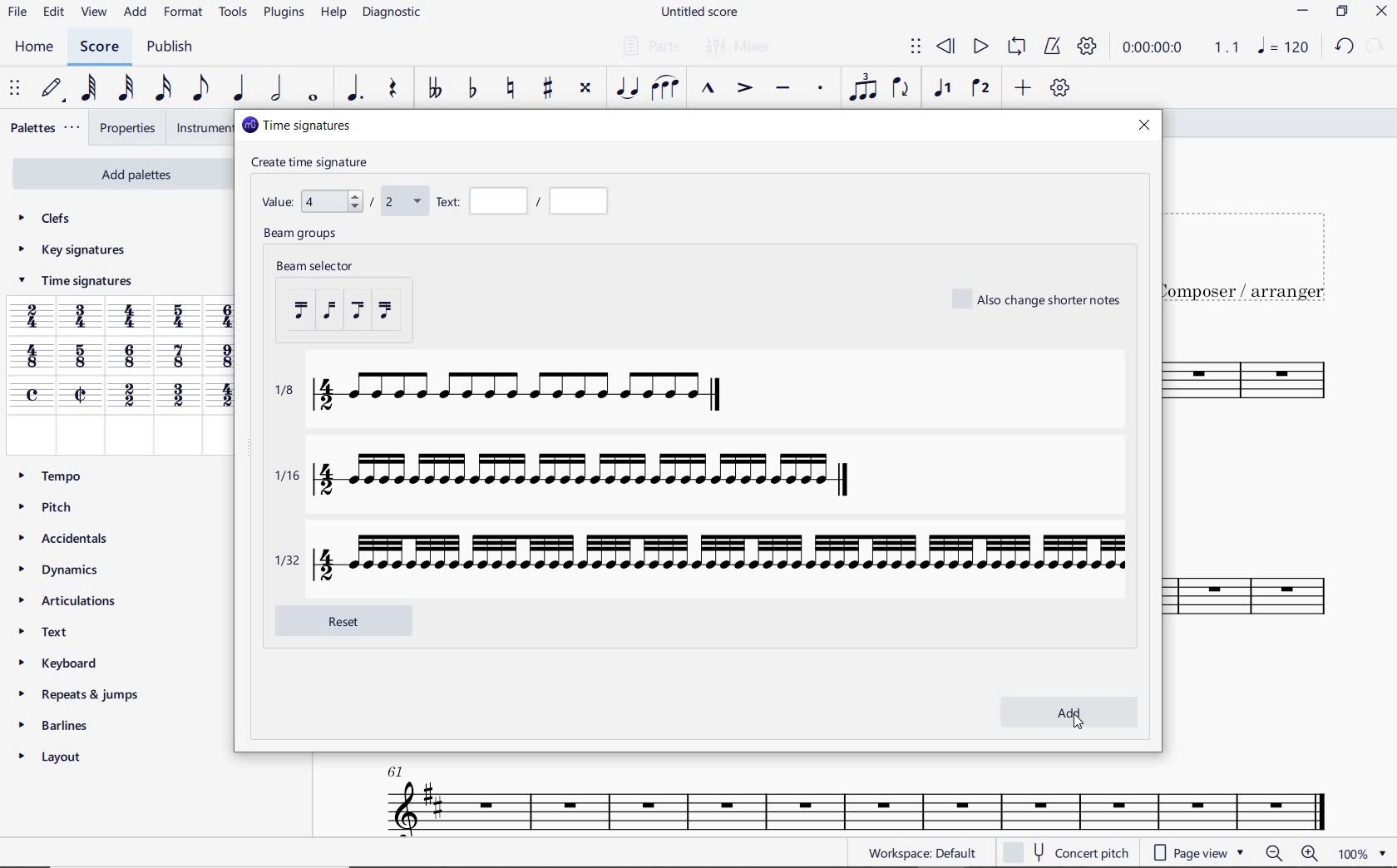  Describe the element at coordinates (160, 89) in the screenshot. I see `16TH NOTE` at that location.